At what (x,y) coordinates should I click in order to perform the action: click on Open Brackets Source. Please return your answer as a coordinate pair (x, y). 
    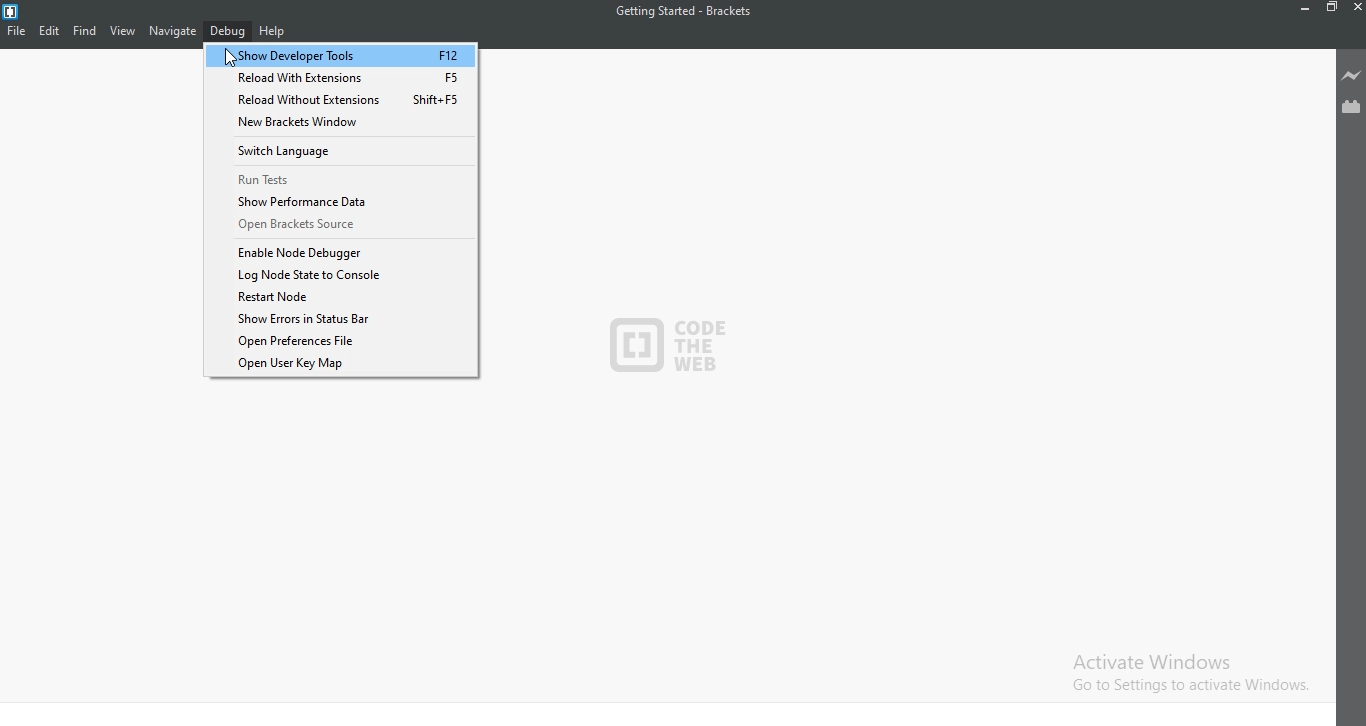
    Looking at the image, I should click on (339, 227).